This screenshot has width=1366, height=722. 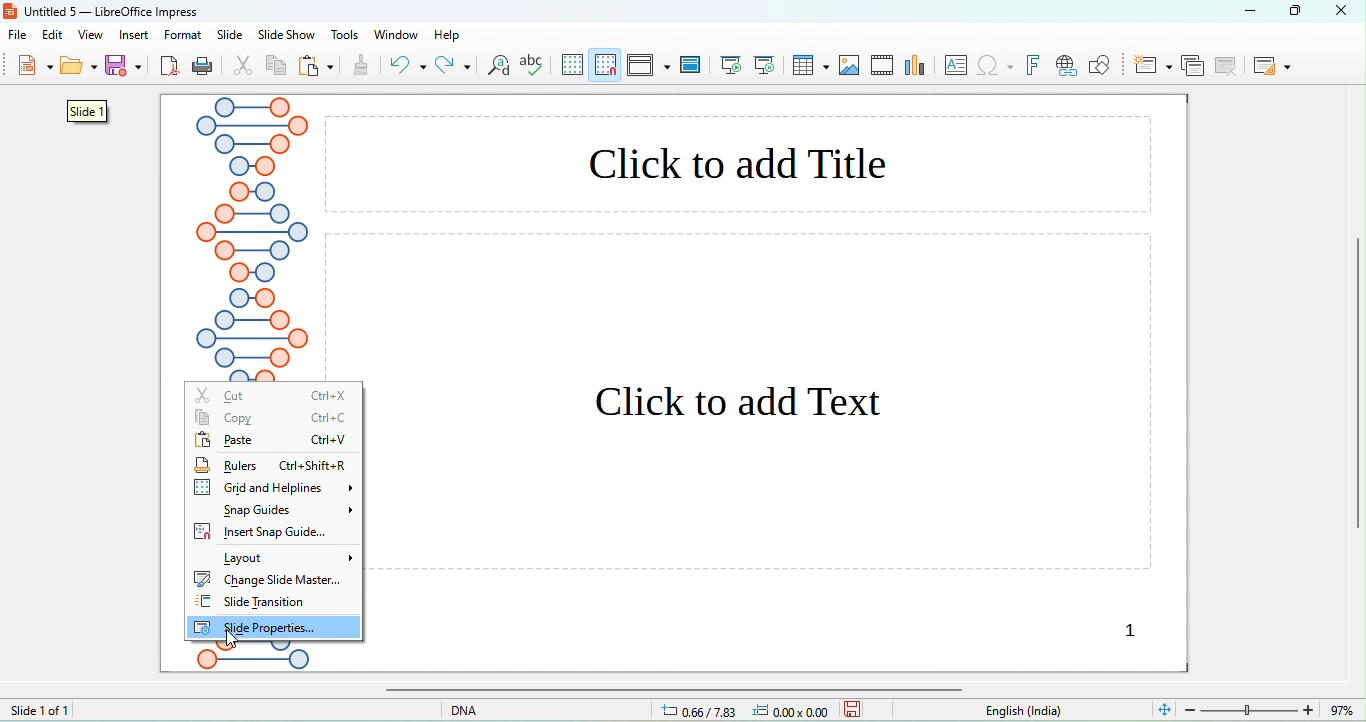 I want to click on slide layout, so click(x=1271, y=65).